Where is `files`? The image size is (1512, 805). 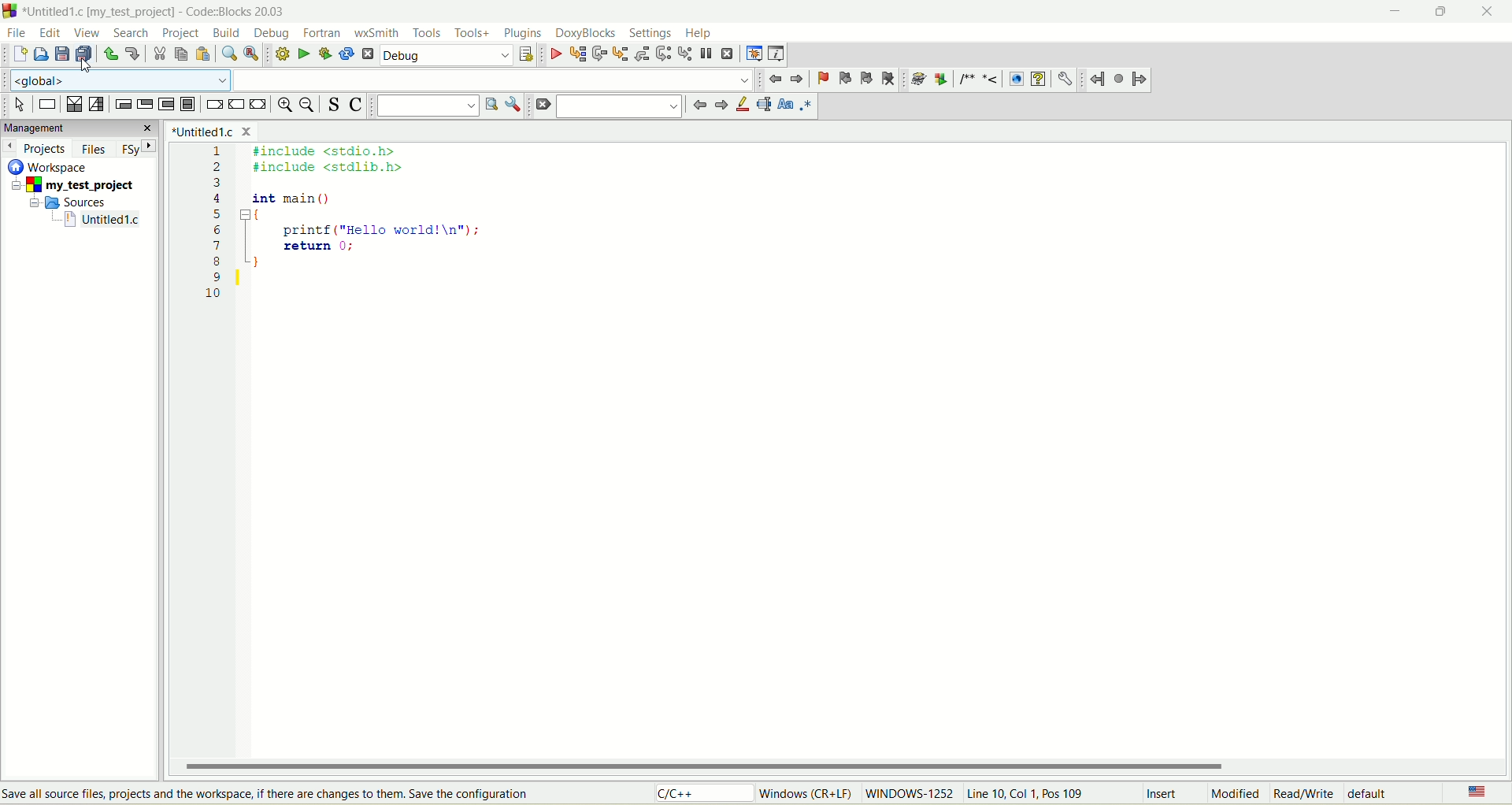
files is located at coordinates (93, 150).